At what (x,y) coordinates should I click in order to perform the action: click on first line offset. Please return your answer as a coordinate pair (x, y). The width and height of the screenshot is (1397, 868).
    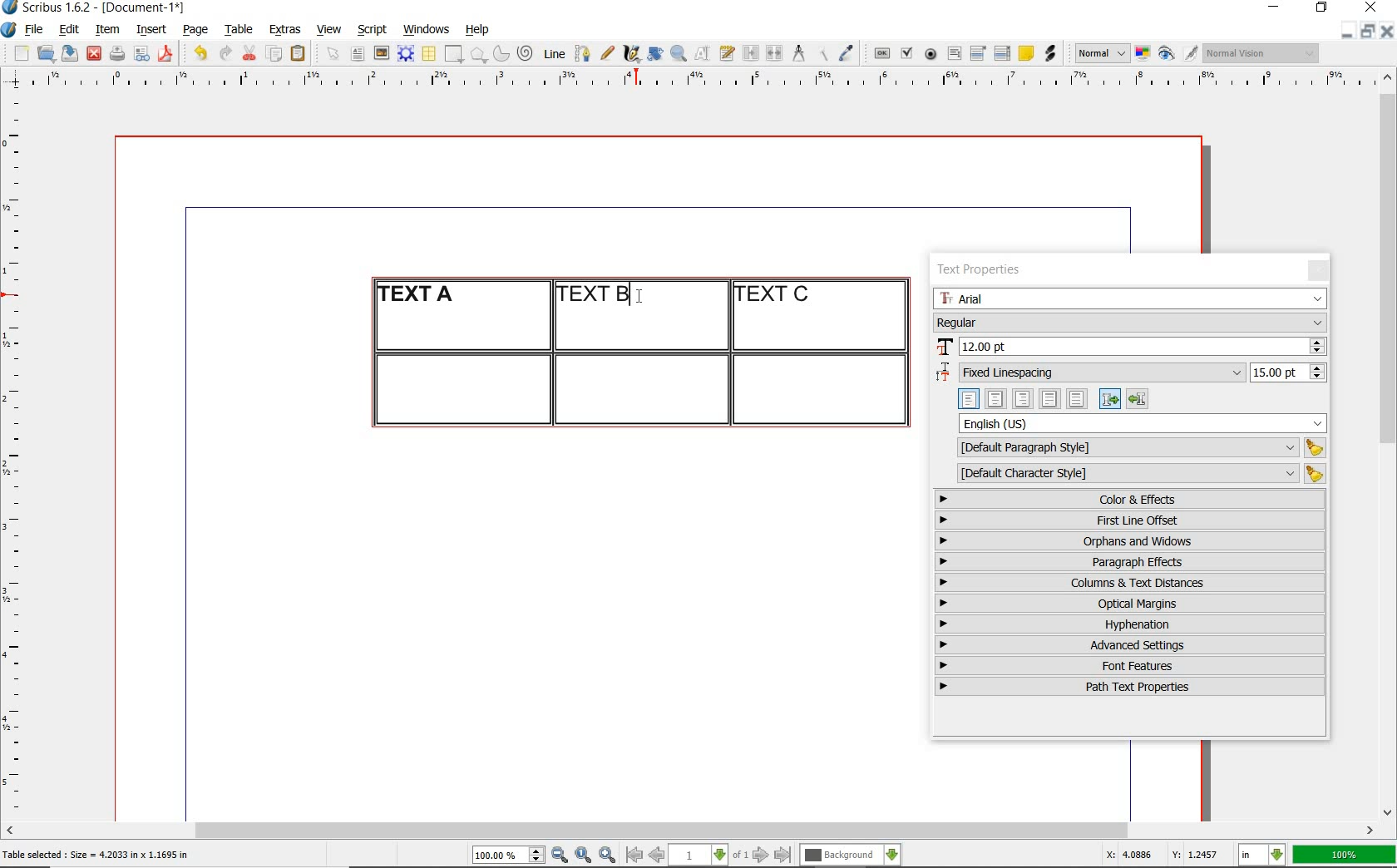
    Looking at the image, I should click on (1131, 520).